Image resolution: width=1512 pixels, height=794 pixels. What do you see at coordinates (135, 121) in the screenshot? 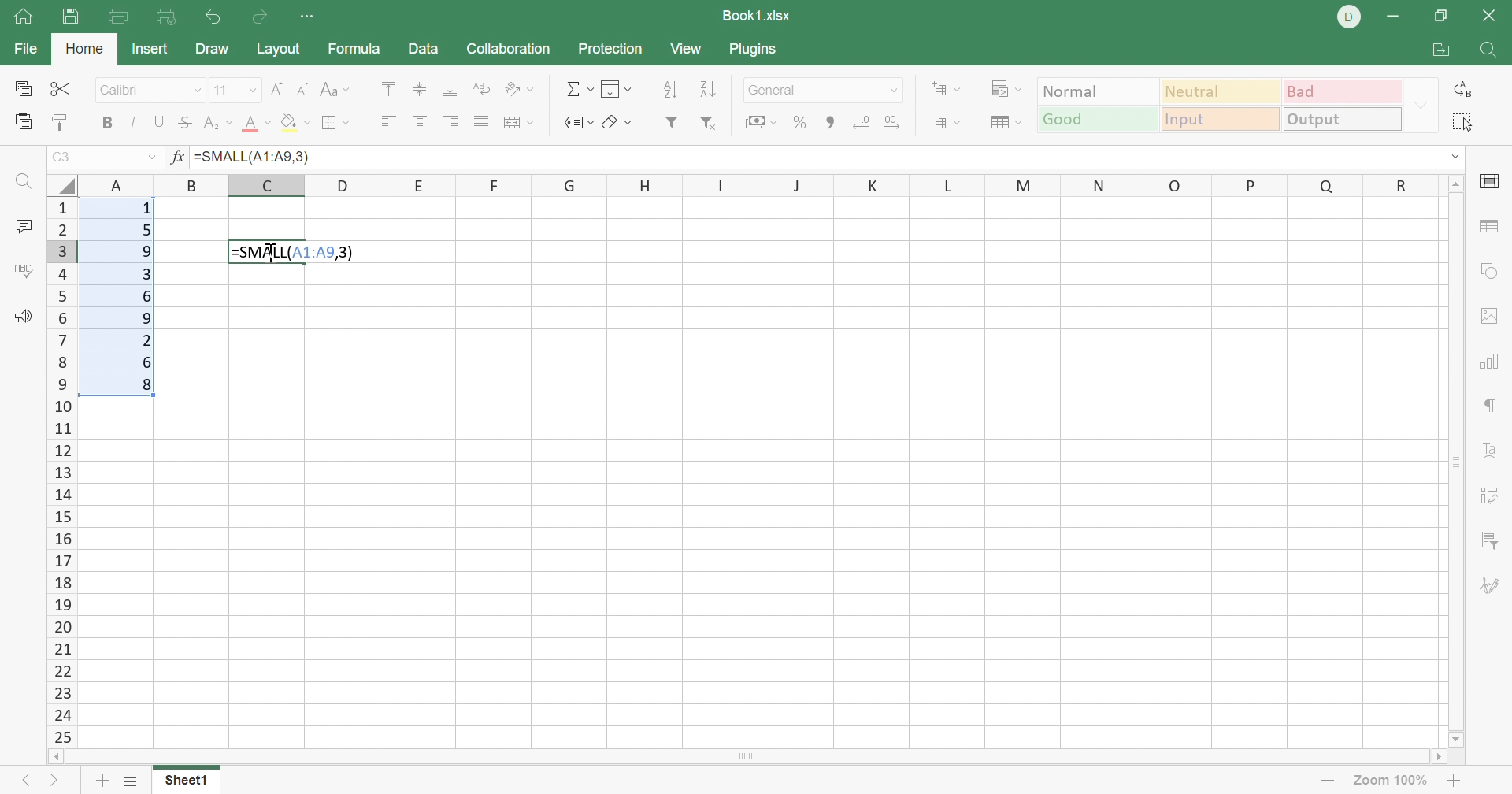
I see `Italic` at bounding box center [135, 121].